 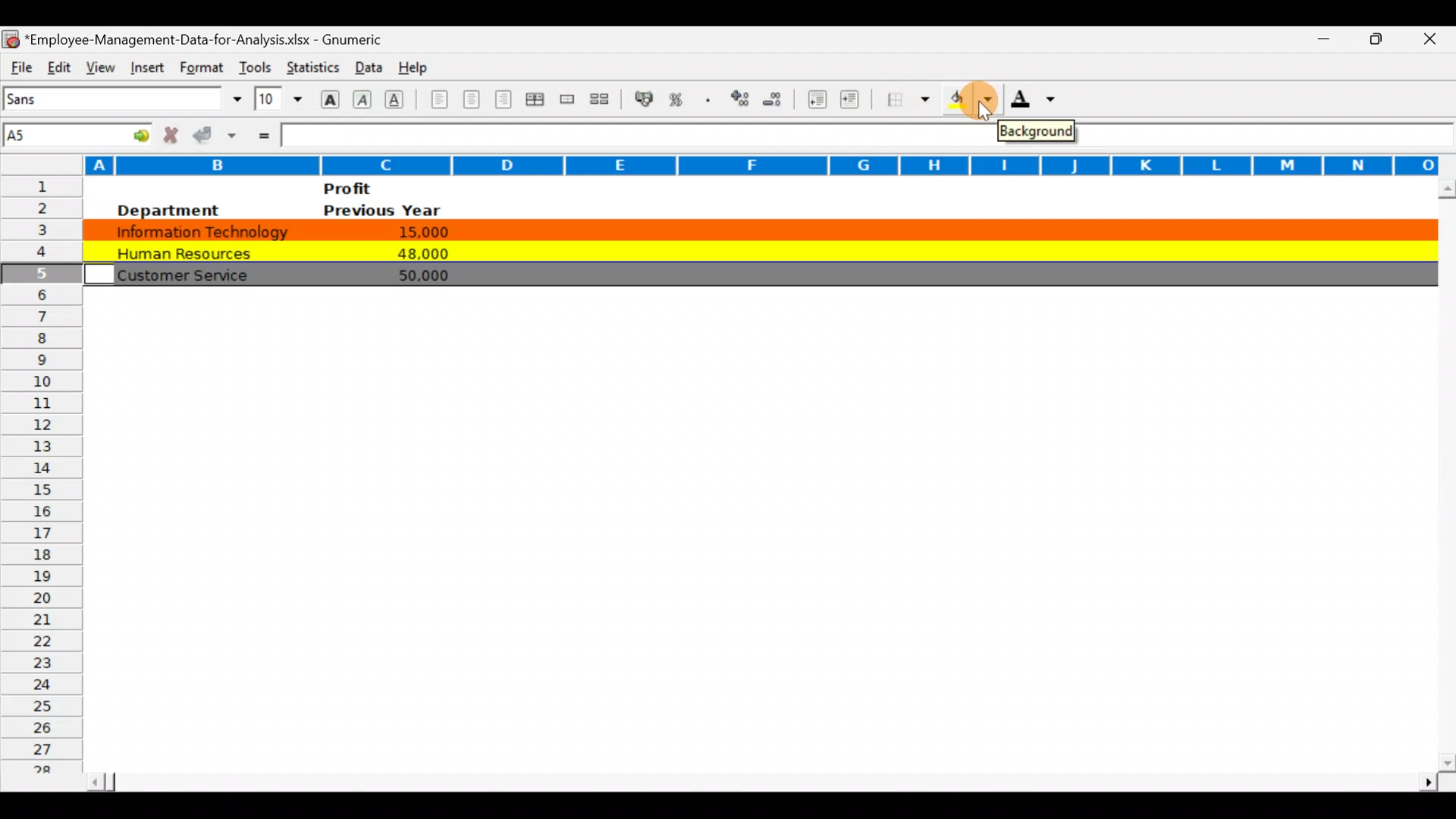 I want to click on Edit, so click(x=58, y=65).